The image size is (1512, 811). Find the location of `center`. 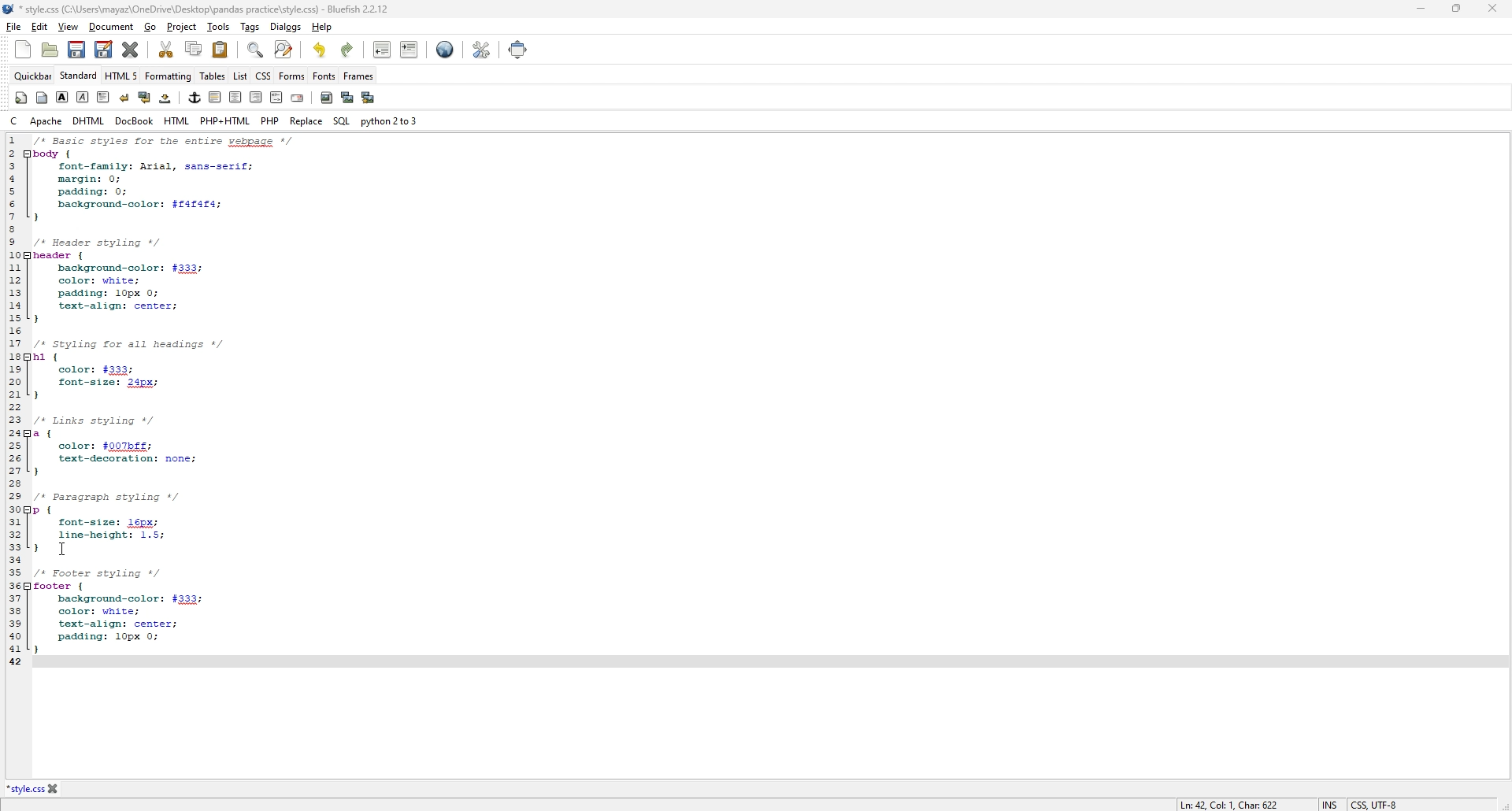

center is located at coordinates (235, 98).